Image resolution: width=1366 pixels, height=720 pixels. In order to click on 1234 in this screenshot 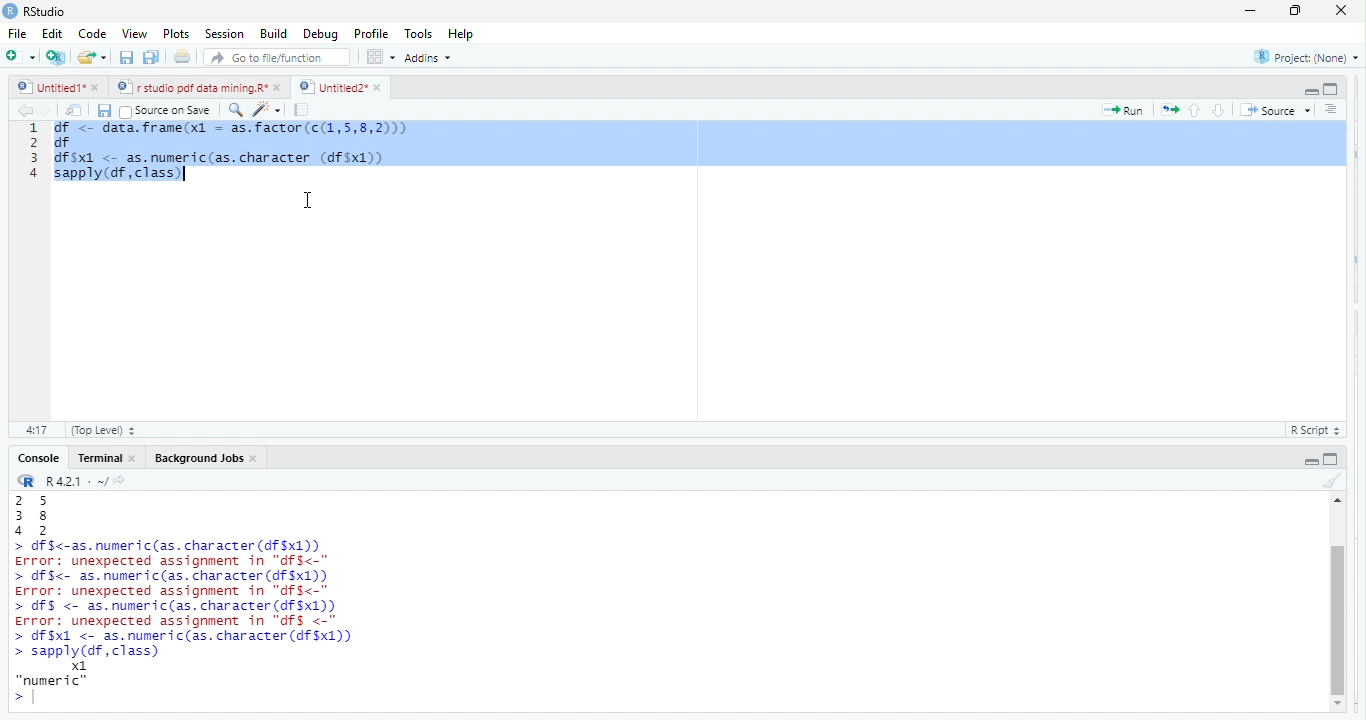, I will do `click(26, 155)`.